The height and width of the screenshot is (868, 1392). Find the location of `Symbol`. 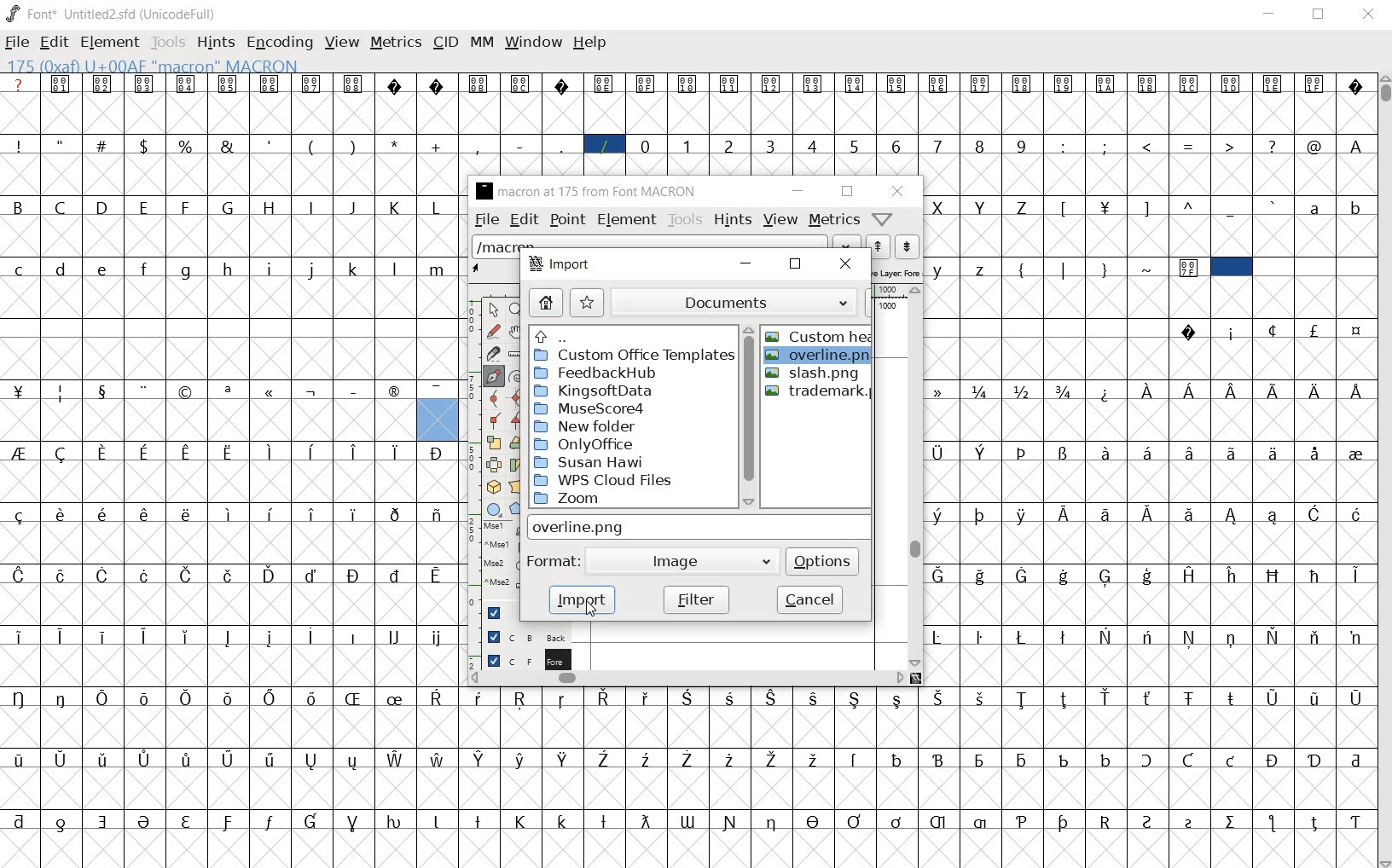

Symbol is located at coordinates (146, 84).